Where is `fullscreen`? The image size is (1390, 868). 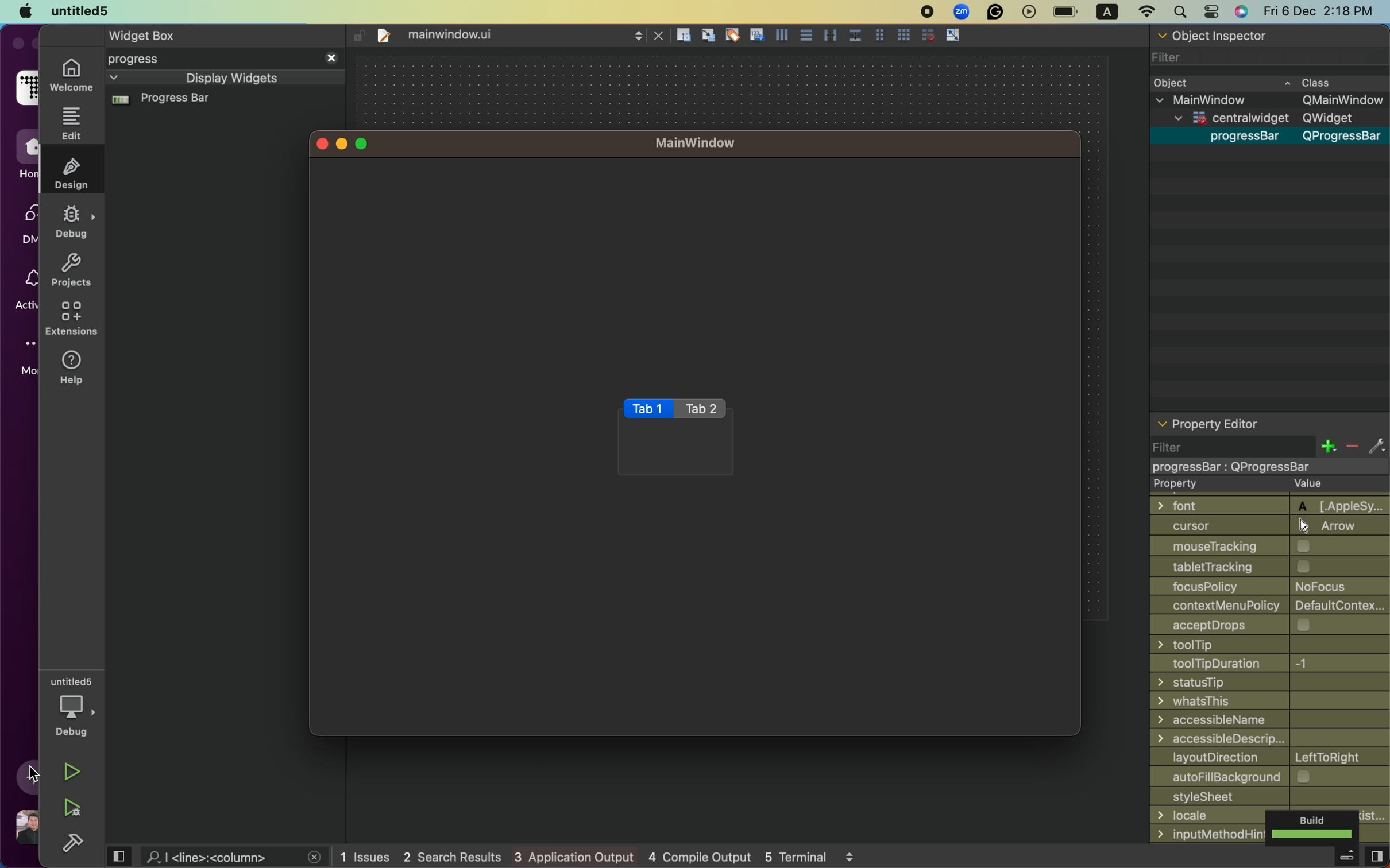 fullscreen is located at coordinates (362, 143).